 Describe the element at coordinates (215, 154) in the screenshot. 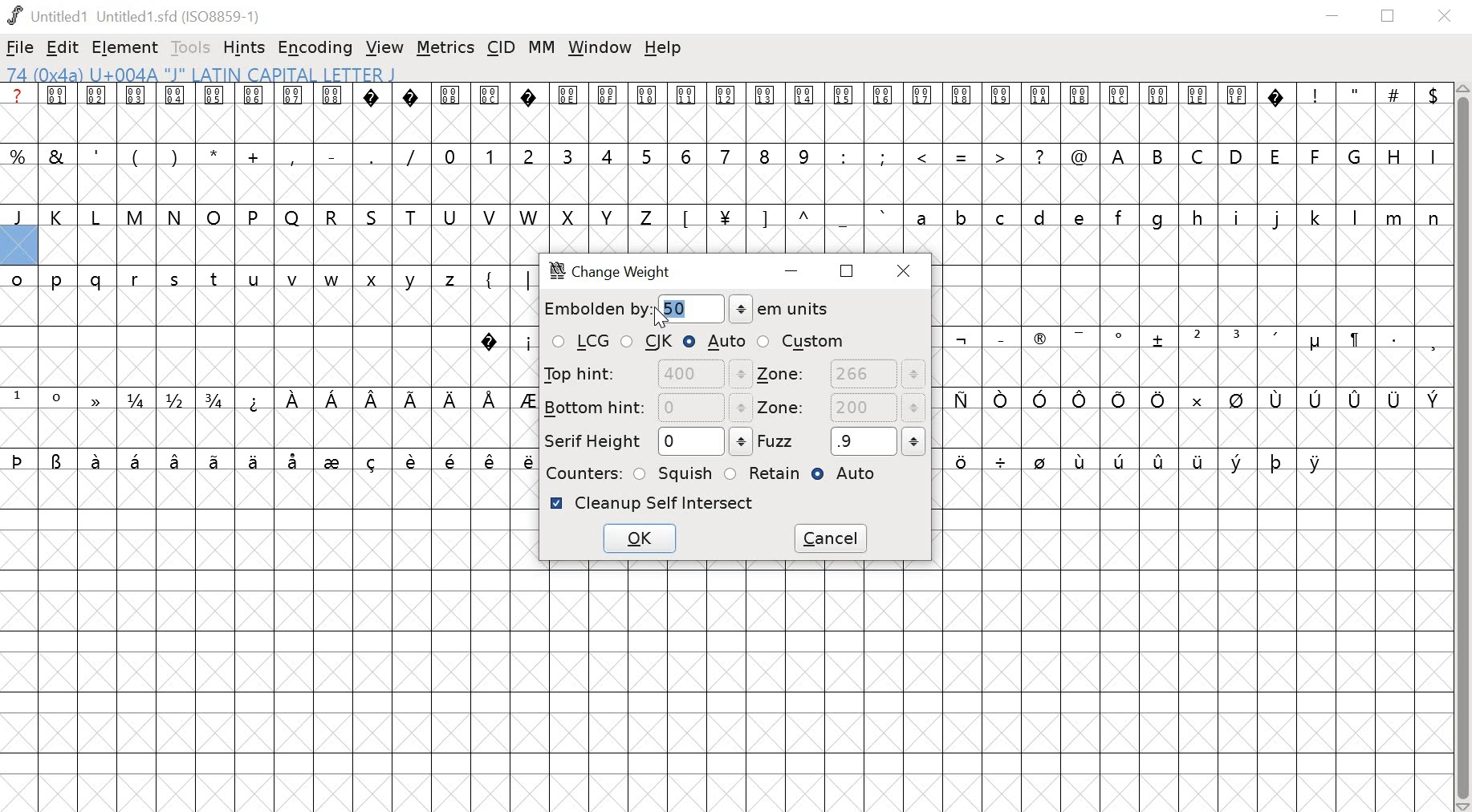

I see `special characters` at that location.